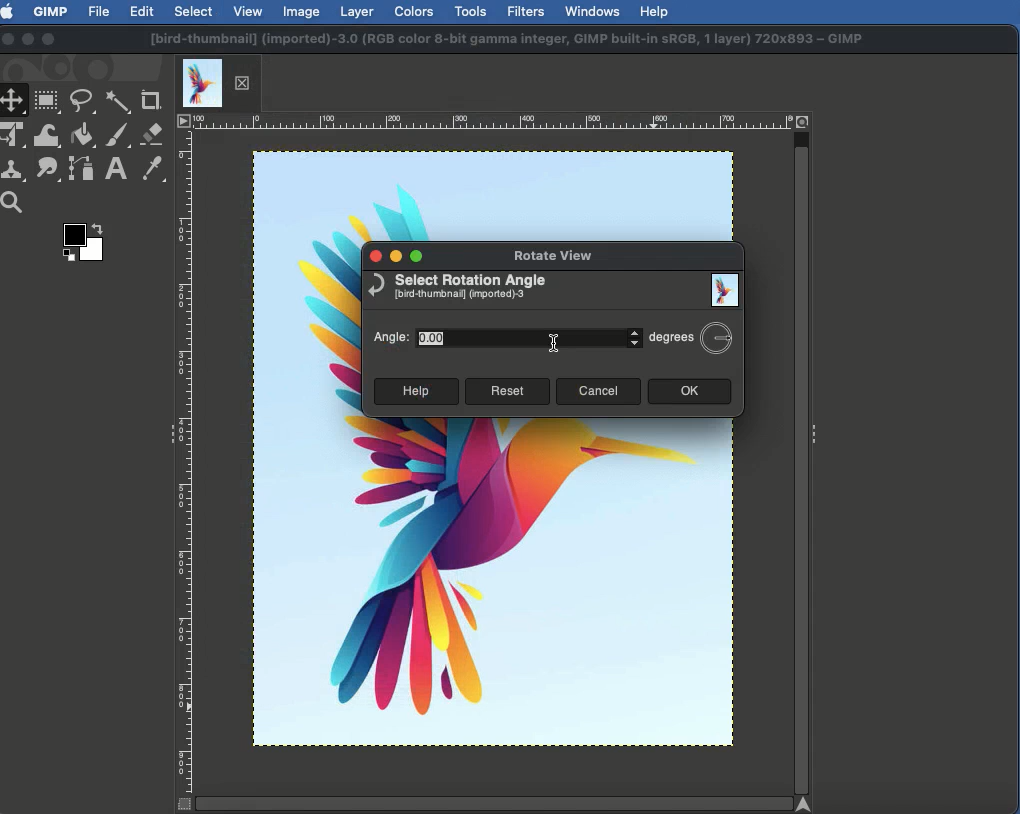  I want to click on Select, so click(194, 11).